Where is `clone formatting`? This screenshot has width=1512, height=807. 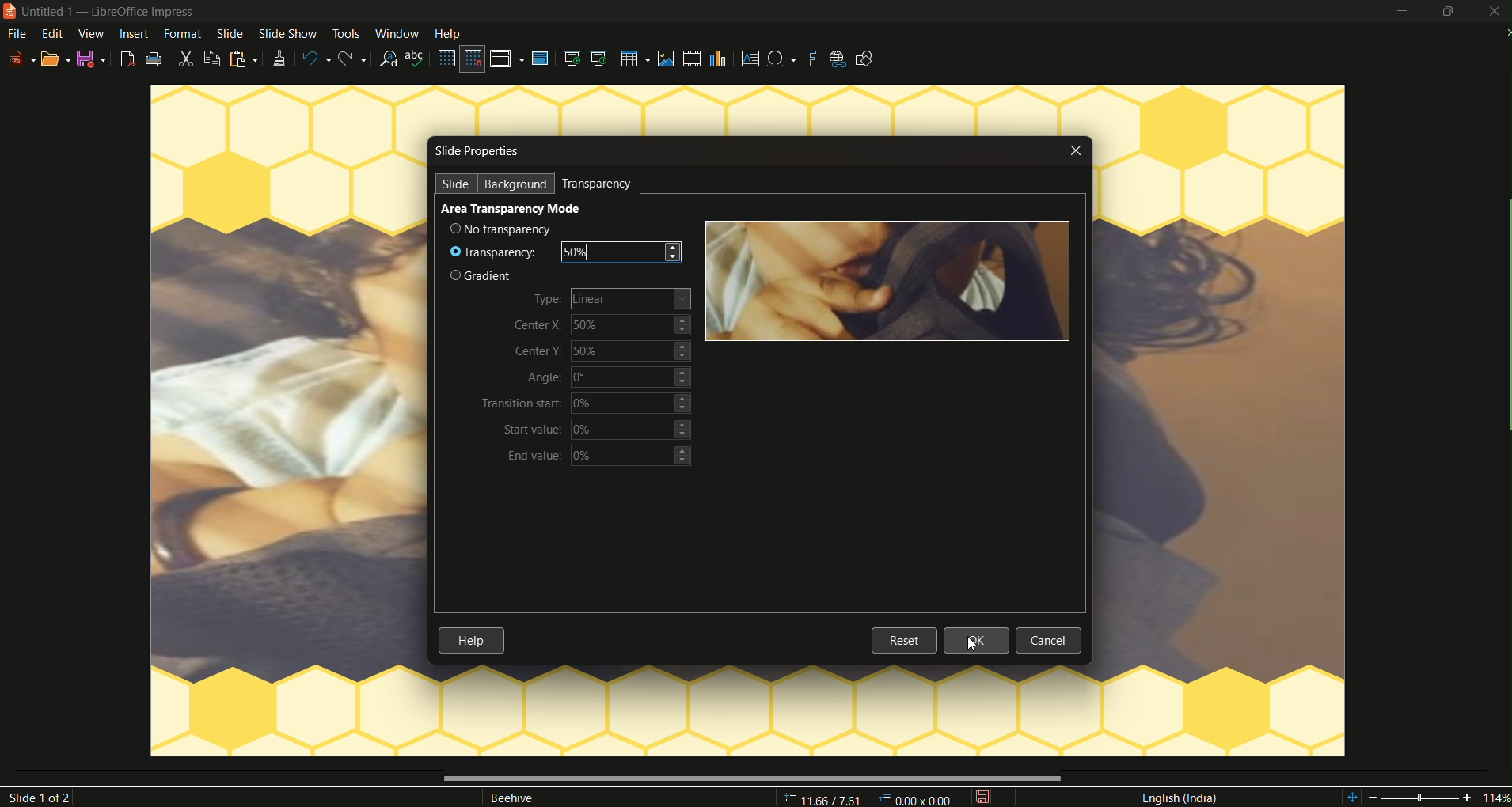 clone formatting is located at coordinates (277, 59).